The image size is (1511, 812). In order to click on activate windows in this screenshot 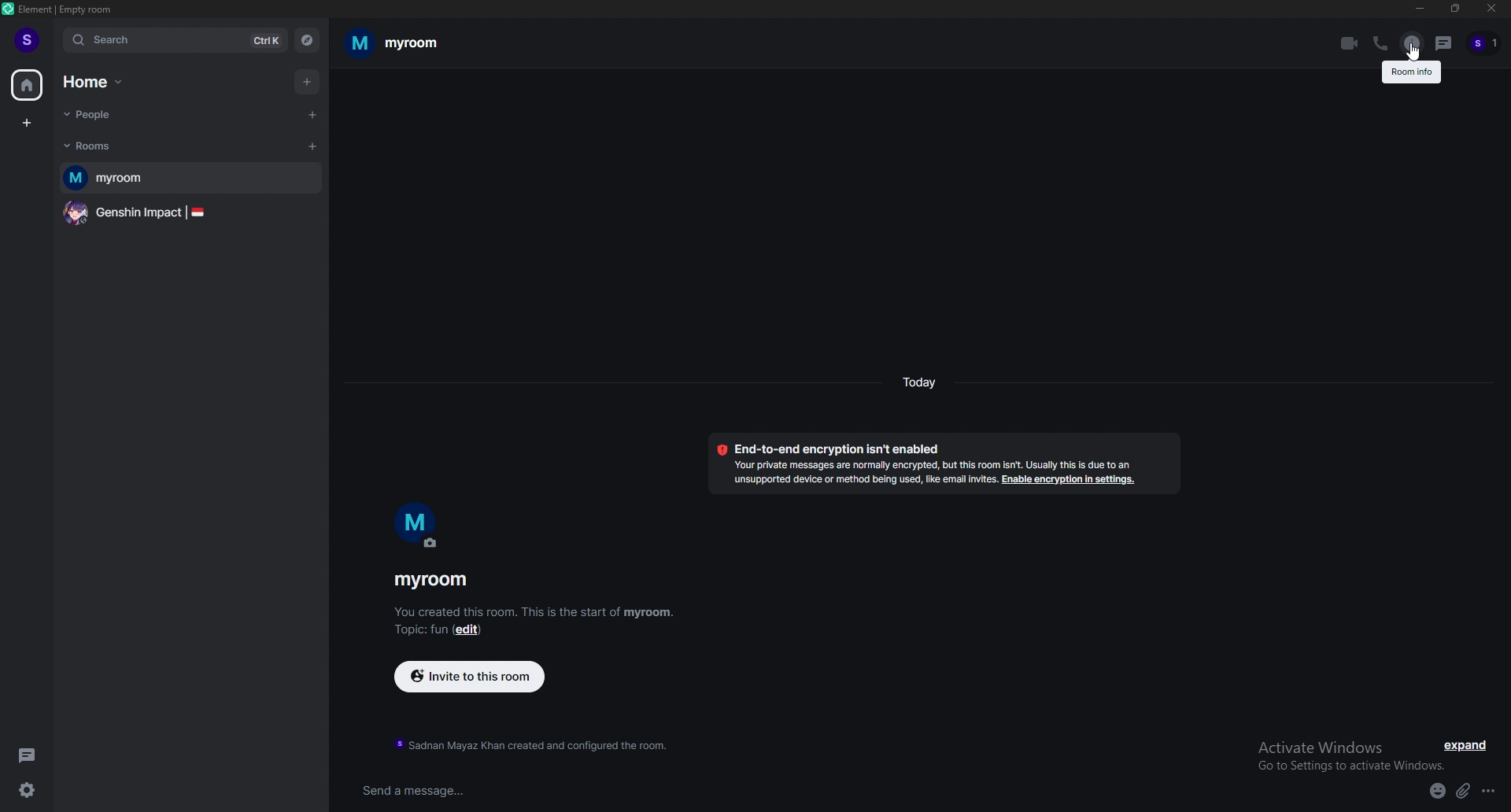, I will do `click(1329, 747)`.